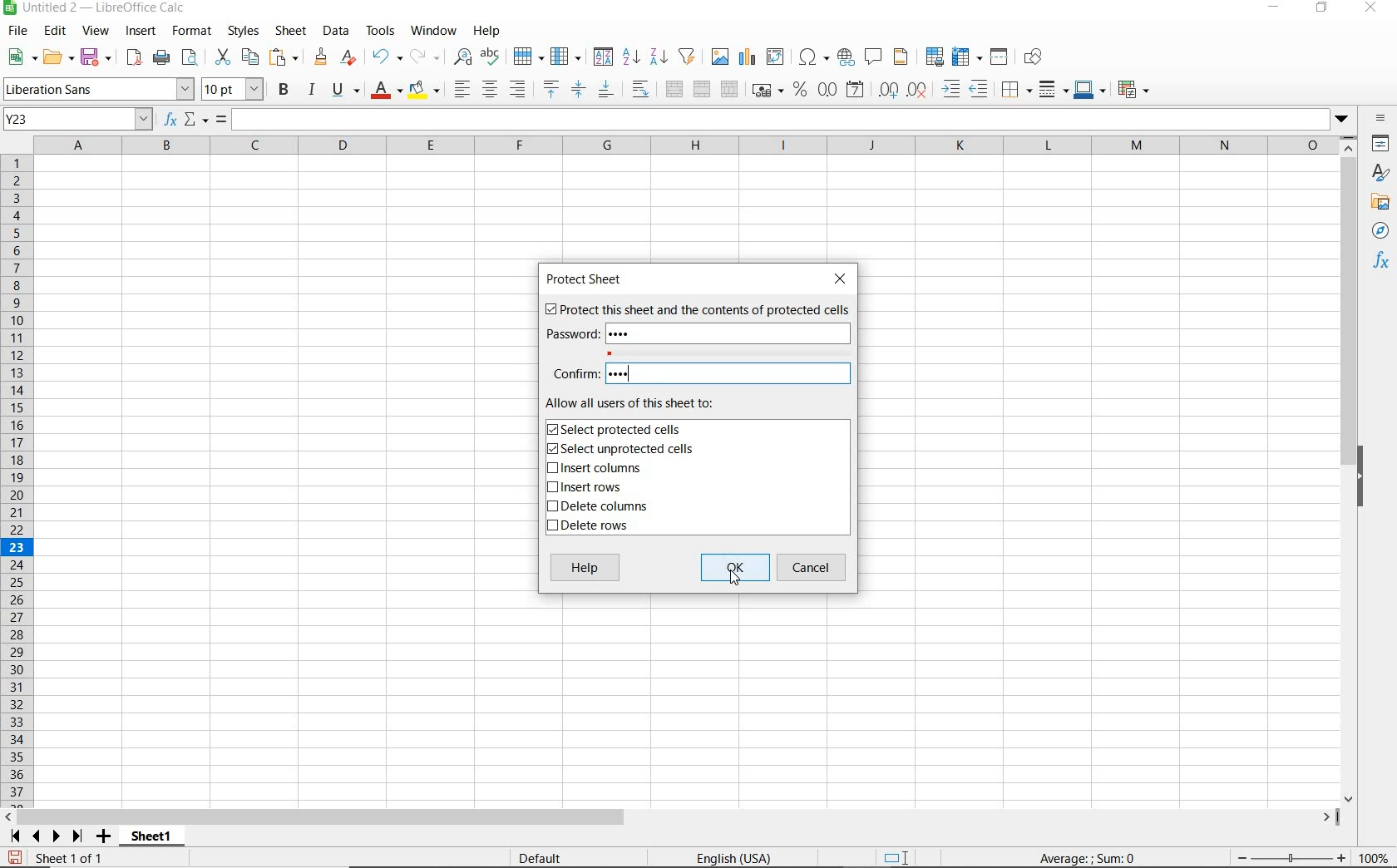  What do you see at coordinates (56, 57) in the screenshot?
I see `OPEN` at bounding box center [56, 57].